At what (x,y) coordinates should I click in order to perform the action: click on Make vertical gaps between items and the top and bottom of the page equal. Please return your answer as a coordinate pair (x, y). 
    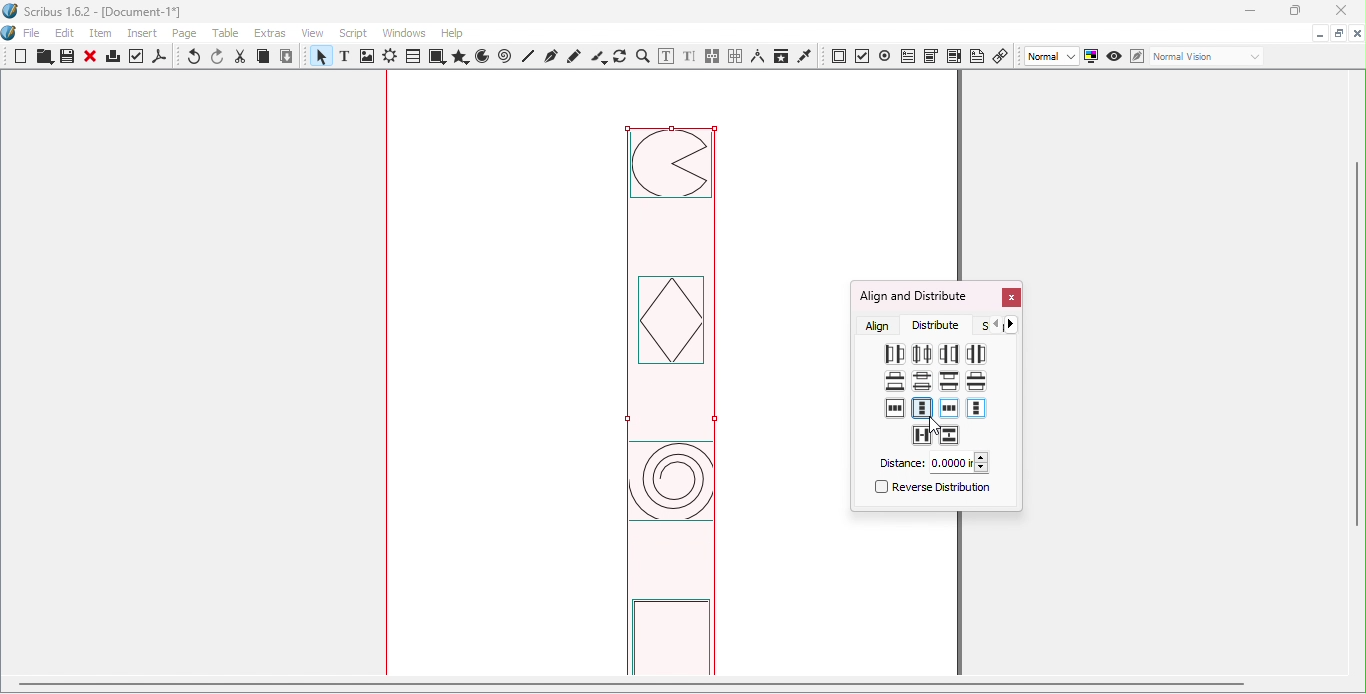
    Looking at the image, I should click on (922, 408).